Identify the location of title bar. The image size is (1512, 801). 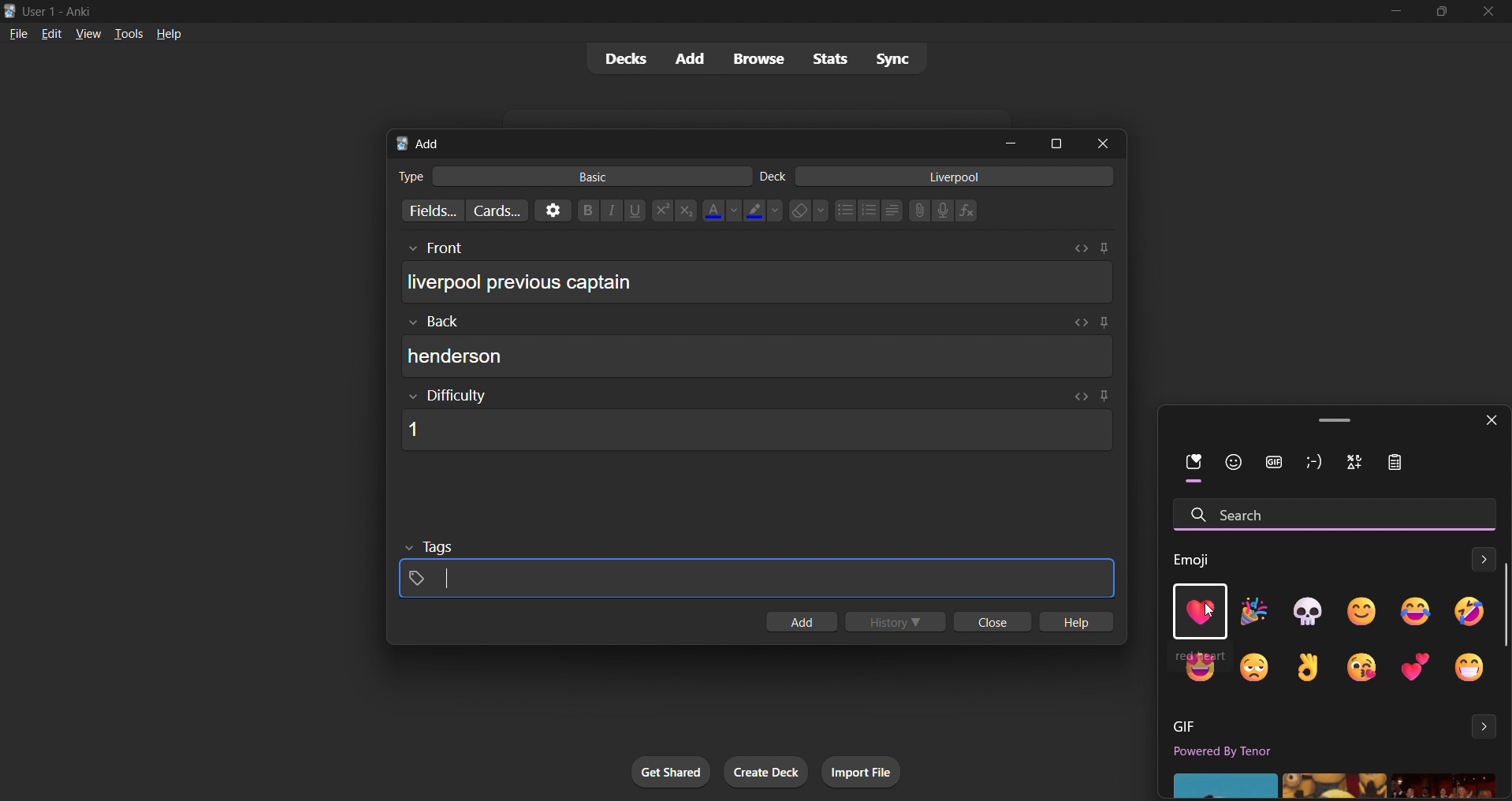
(681, 9).